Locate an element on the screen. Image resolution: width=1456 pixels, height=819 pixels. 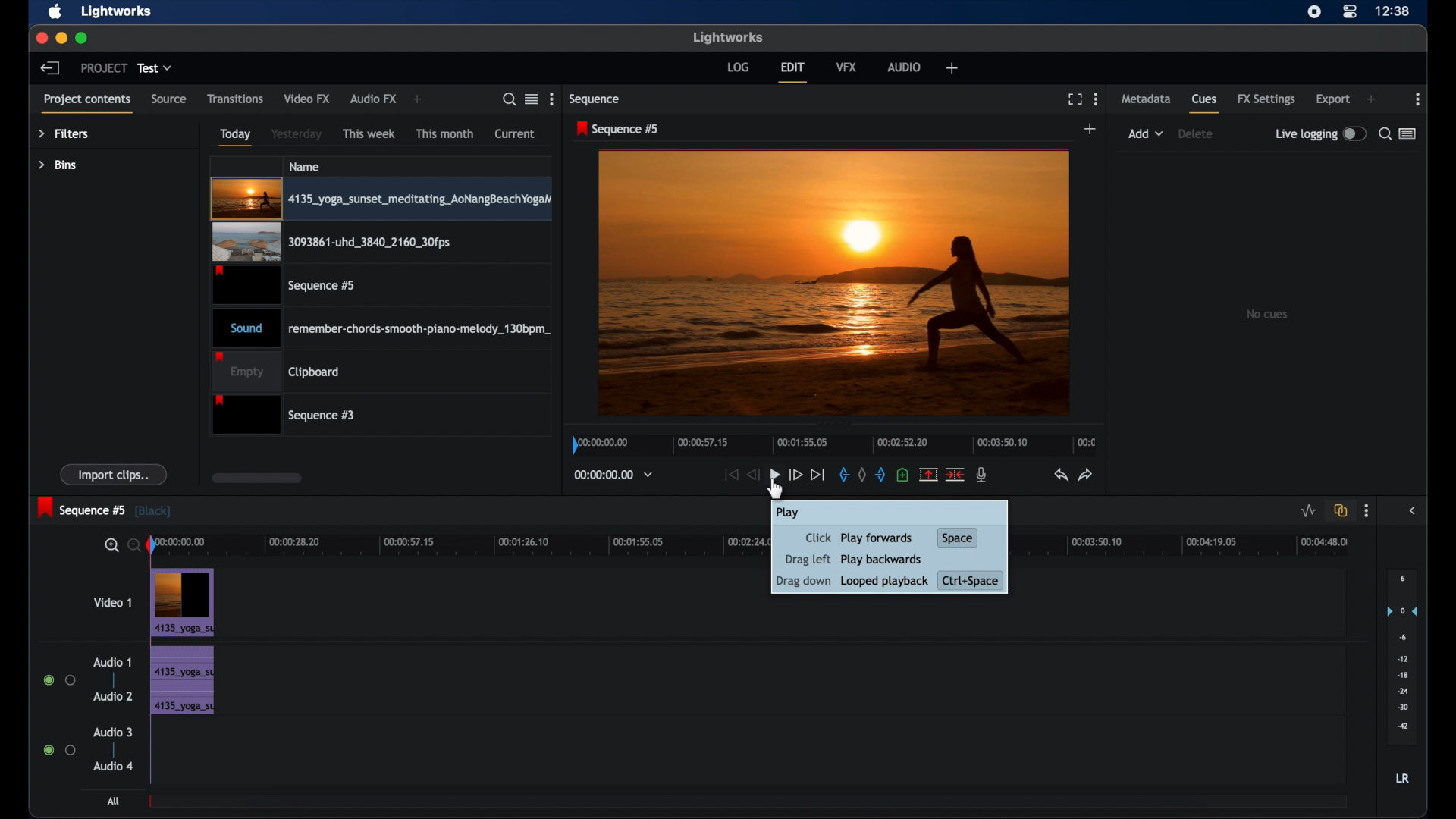
add a cue at current position is located at coordinates (904, 475).